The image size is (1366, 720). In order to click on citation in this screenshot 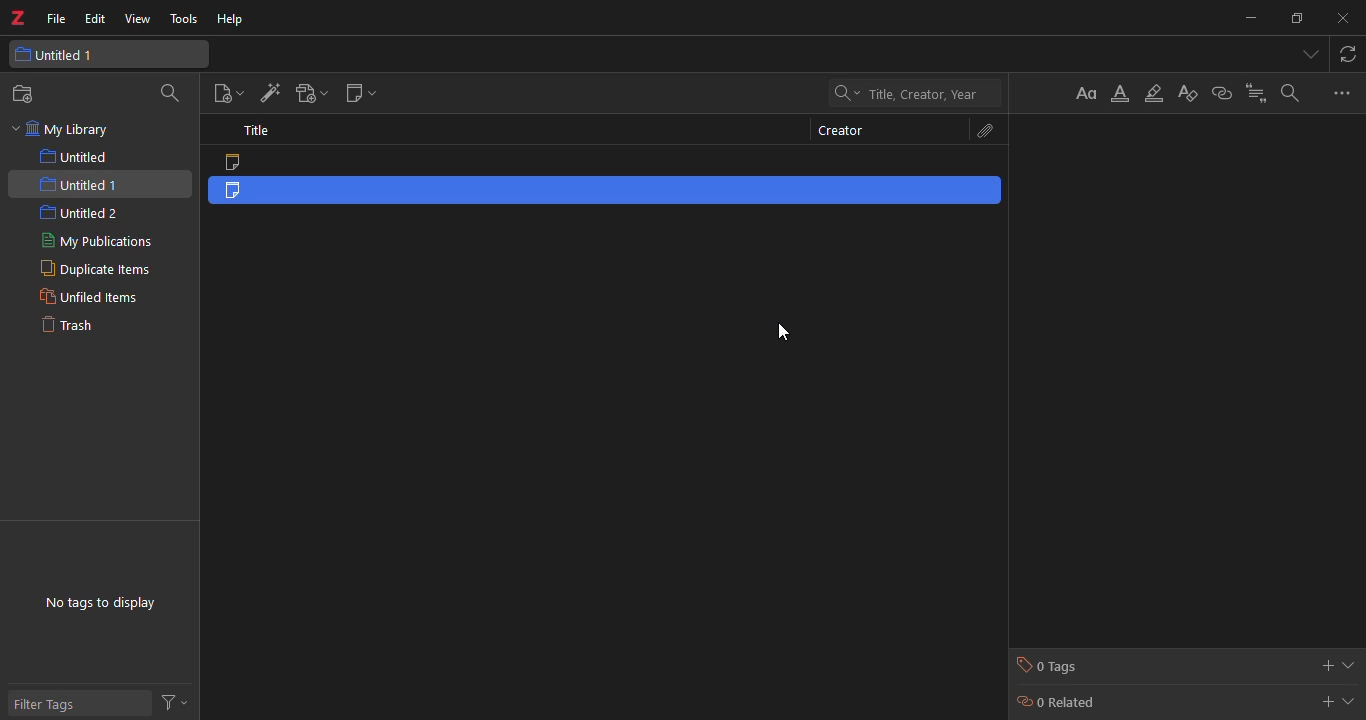, I will do `click(1256, 96)`.